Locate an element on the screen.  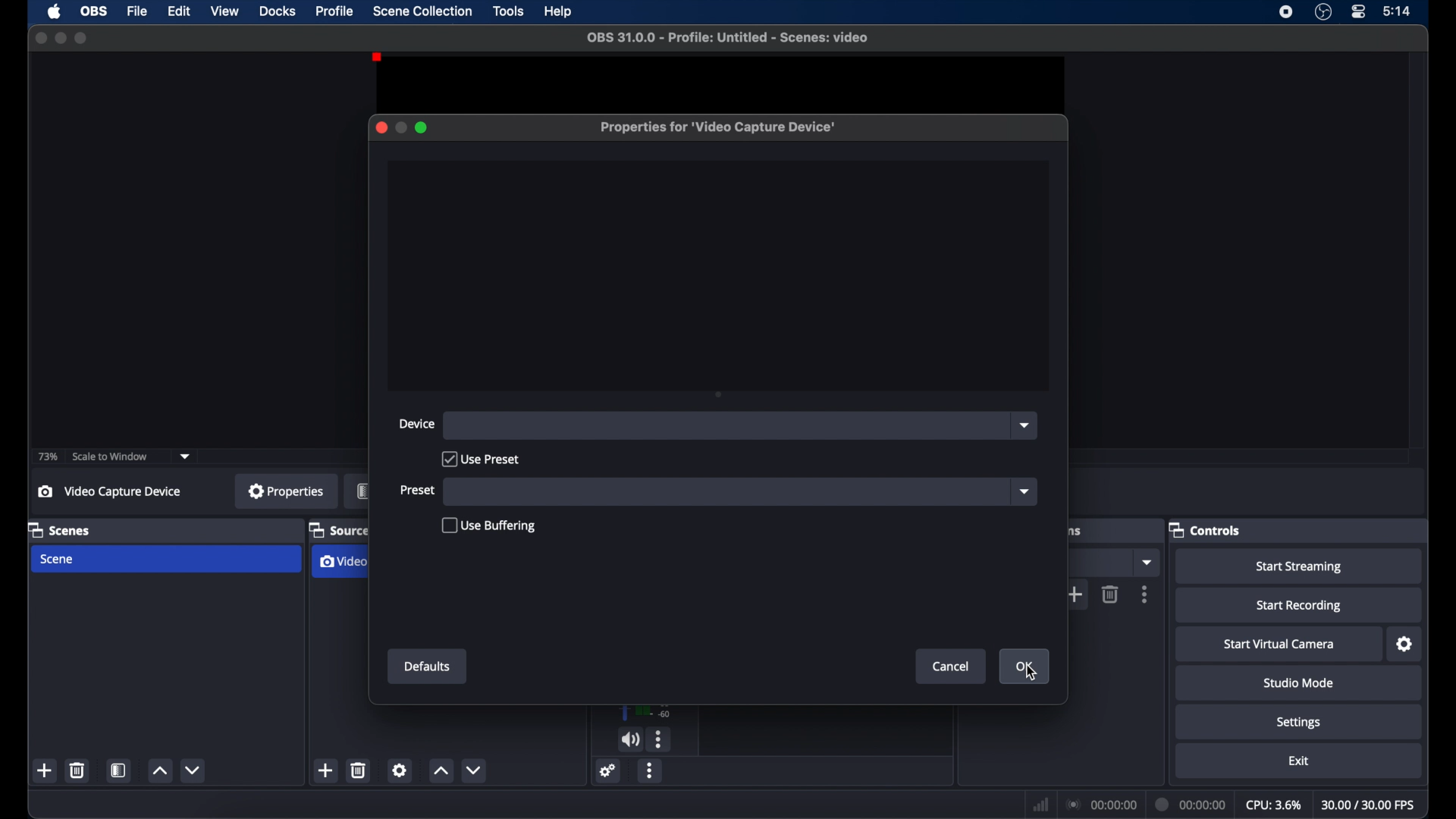
file is located at coordinates (136, 11).